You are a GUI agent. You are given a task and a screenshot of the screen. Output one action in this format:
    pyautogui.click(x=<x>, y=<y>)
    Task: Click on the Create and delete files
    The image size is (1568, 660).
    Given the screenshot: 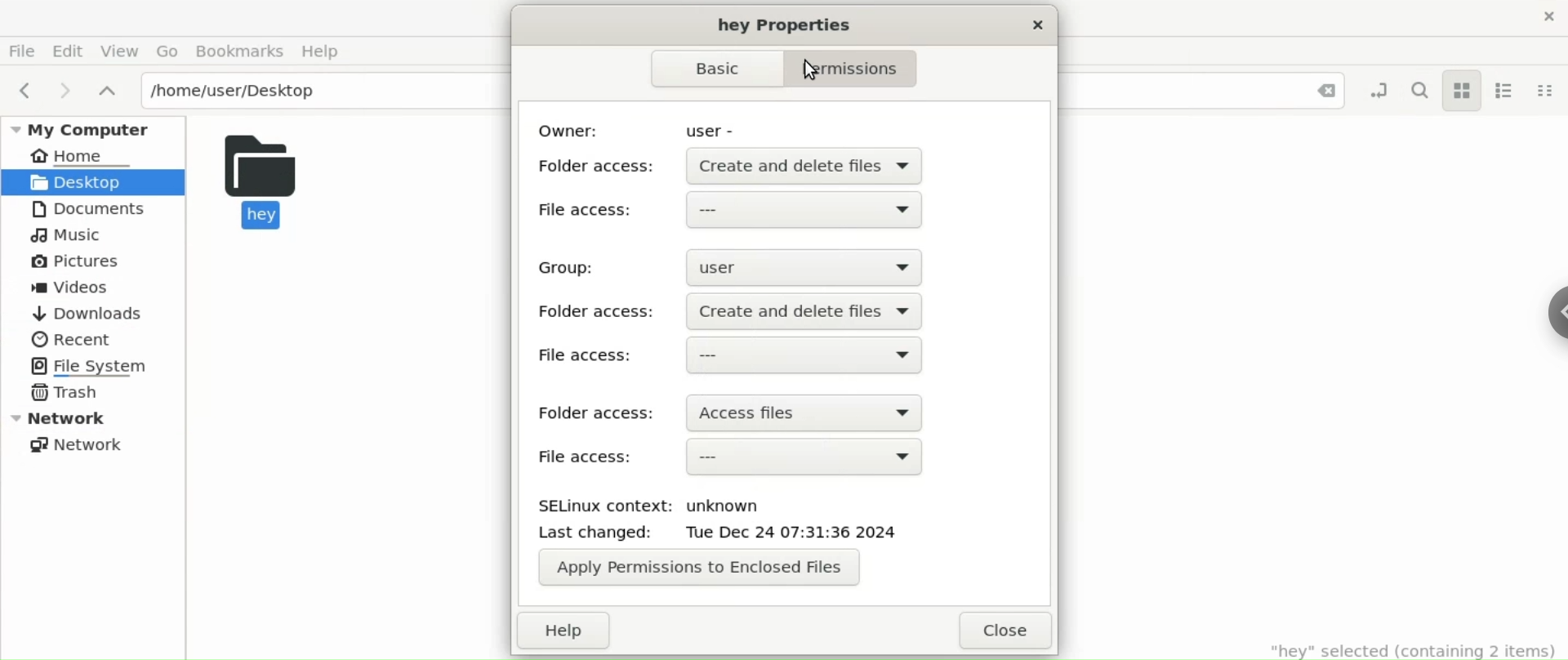 What is the action you would take?
    pyautogui.click(x=812, y=308)
    